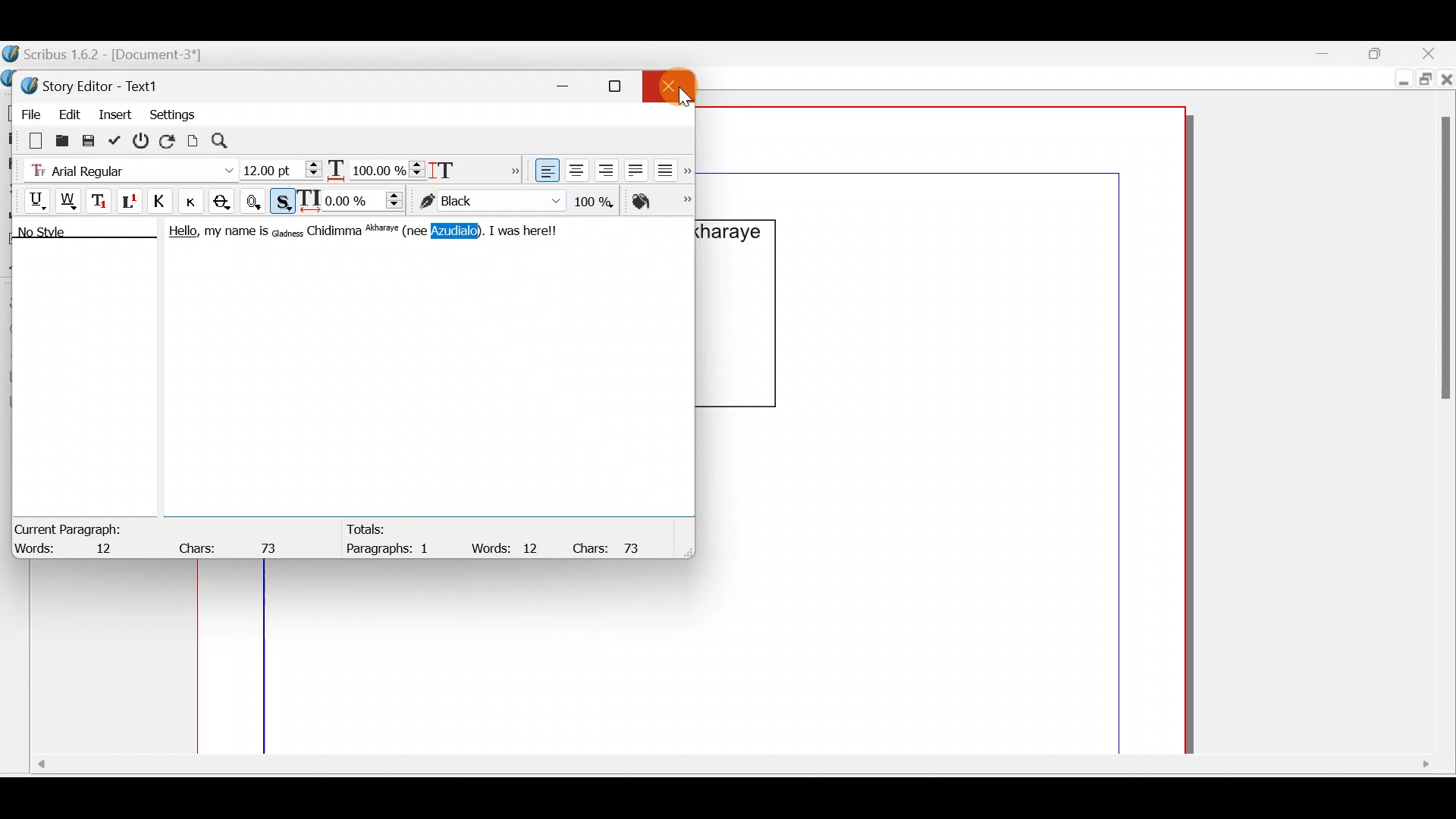  Describe the element at coordinates (89, 140) in the screenshot. I see `Save to file` at that location.